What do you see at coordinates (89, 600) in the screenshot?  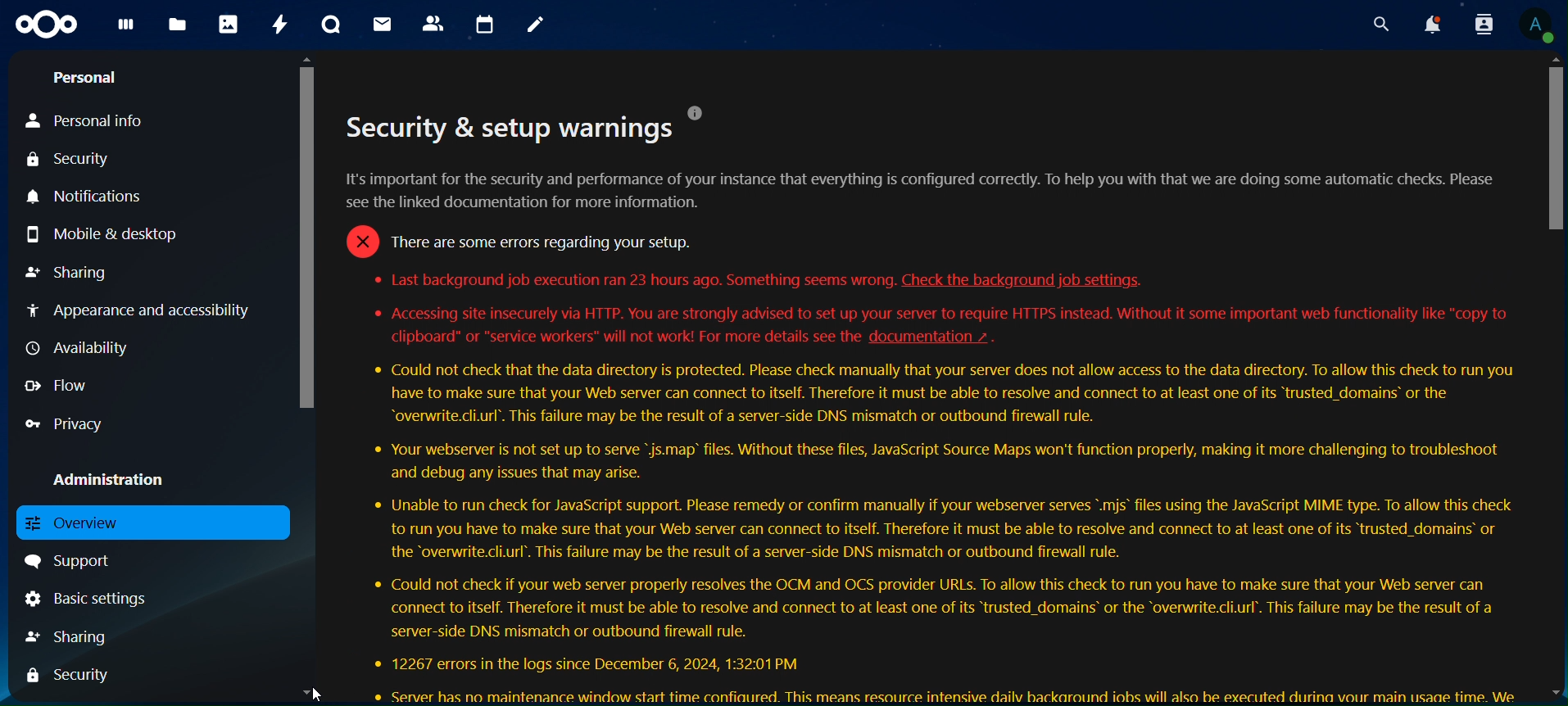 I see `basic settings` at bounding box center [89, 600].